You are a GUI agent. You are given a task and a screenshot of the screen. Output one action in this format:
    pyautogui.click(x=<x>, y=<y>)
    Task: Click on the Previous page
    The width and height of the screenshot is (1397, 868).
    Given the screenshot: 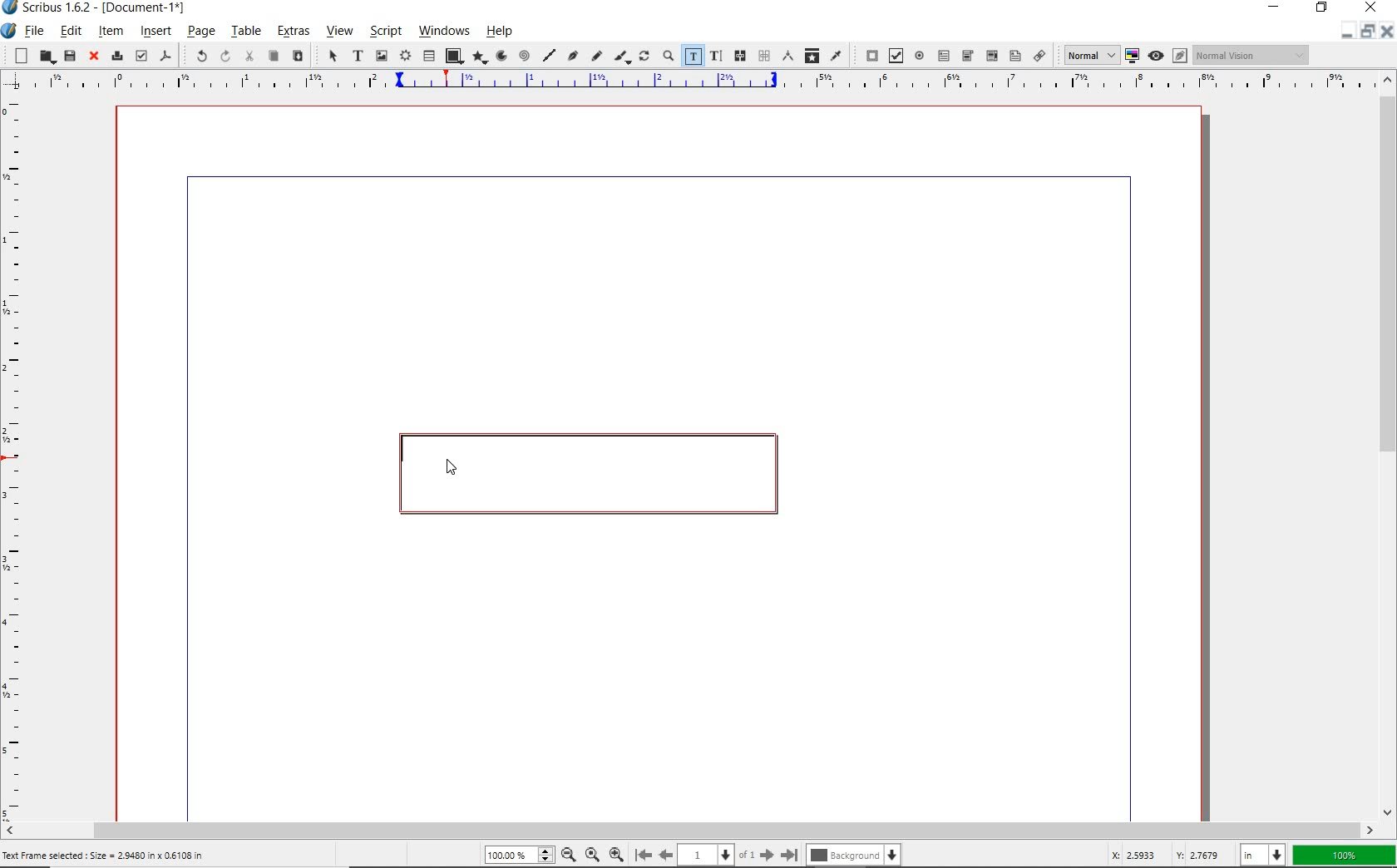 What is the action you would take?
    pyautogui.click(x=664, y=855)
    